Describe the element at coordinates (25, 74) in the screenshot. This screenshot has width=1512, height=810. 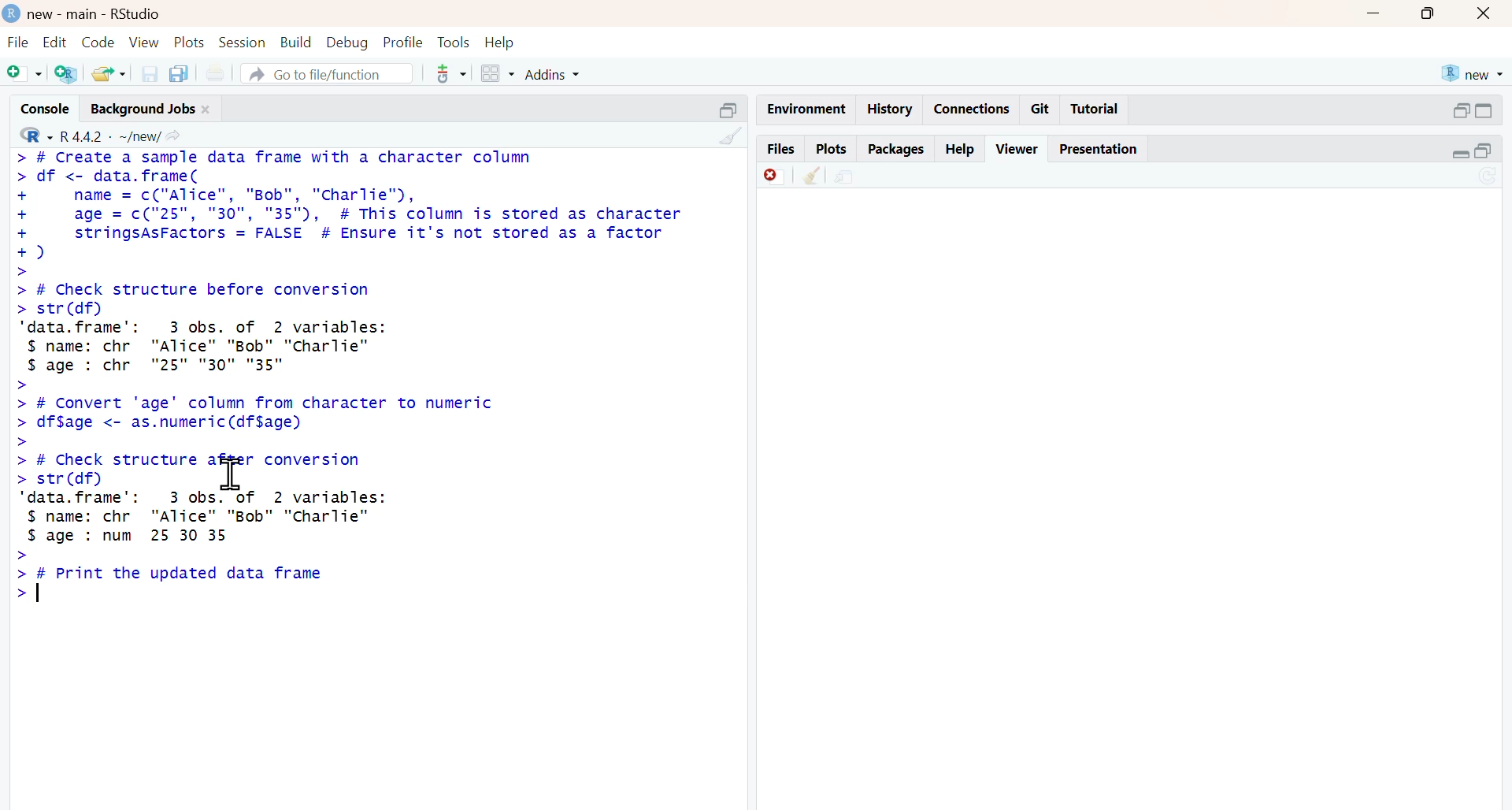
I see `add file as` at that location.